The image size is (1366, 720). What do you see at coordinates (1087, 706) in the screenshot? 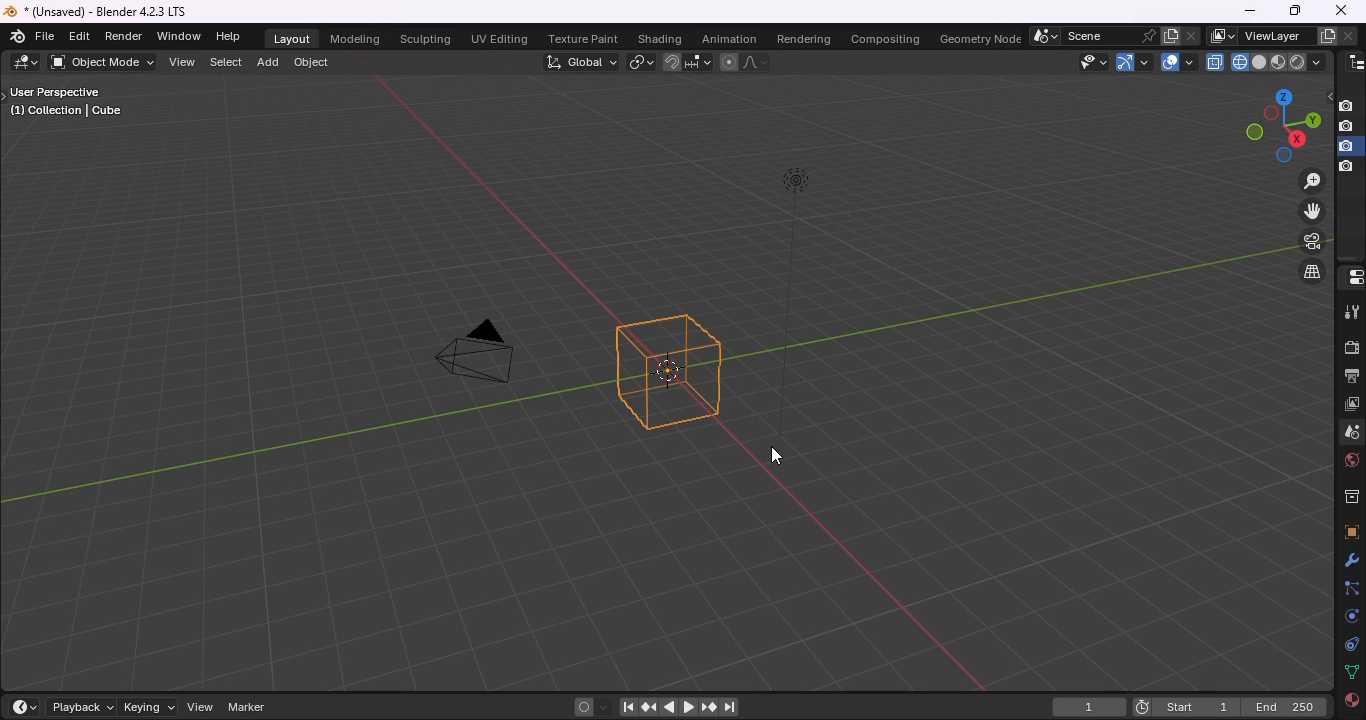
I see `1` at bounding box center [1087, 706].